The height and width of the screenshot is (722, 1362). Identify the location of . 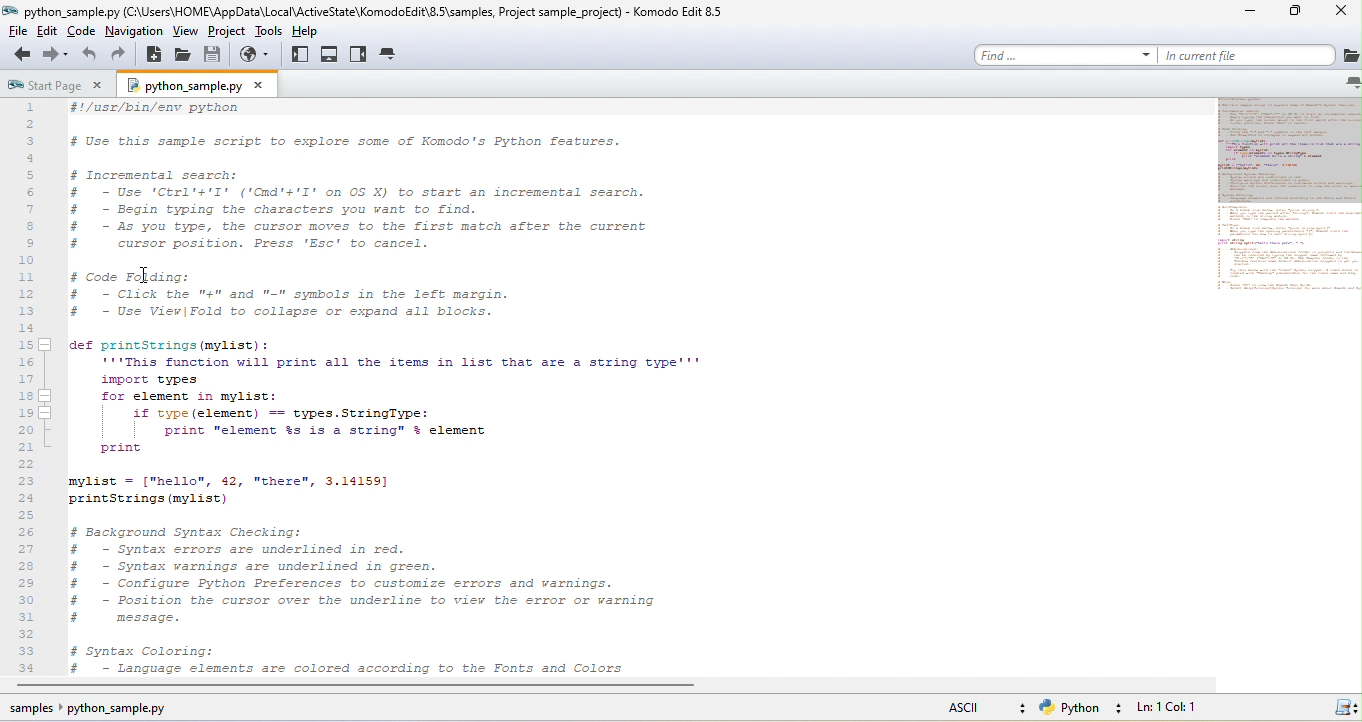
(525, 386).